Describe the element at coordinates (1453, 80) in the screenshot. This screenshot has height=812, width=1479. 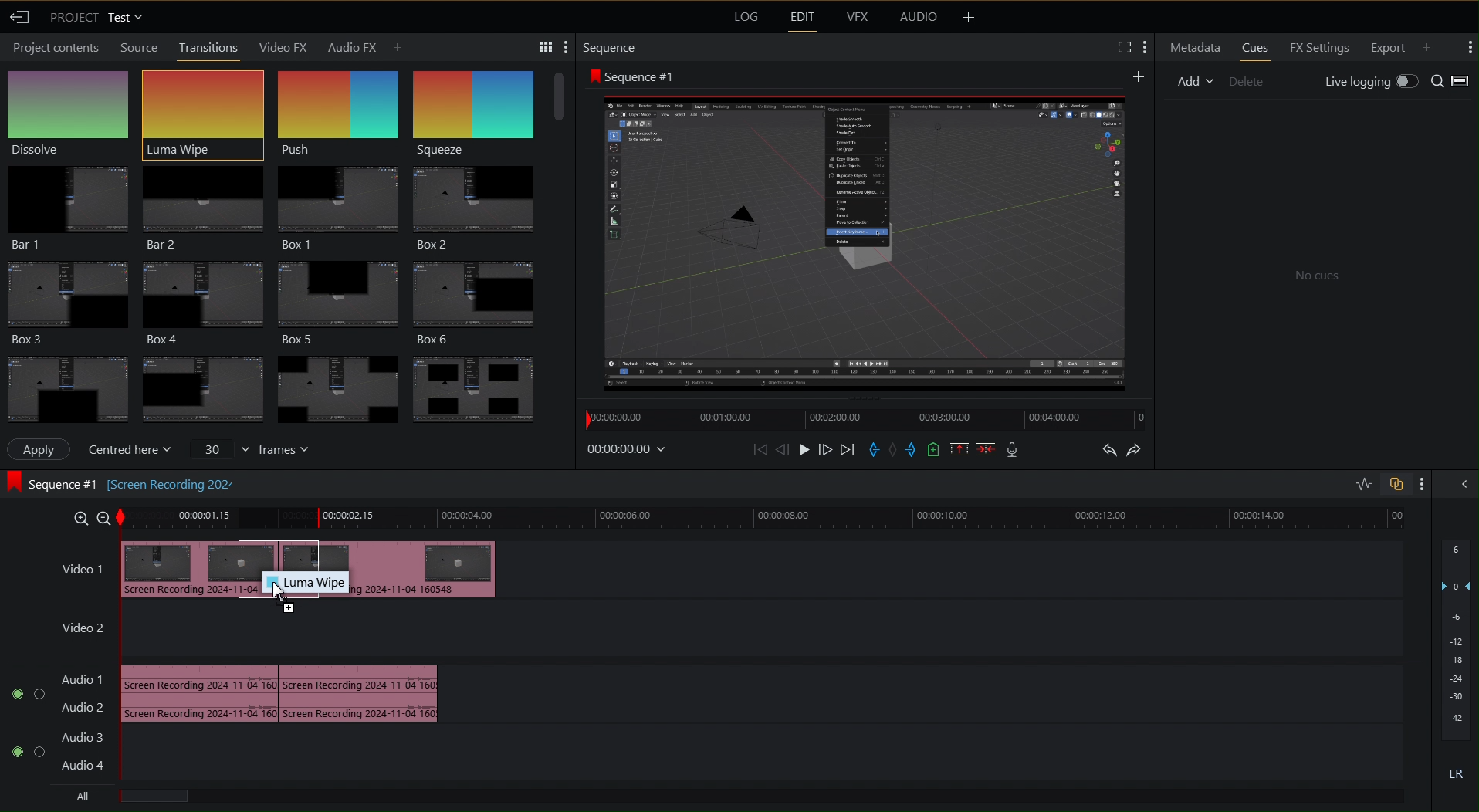
I see `Search` at that location.